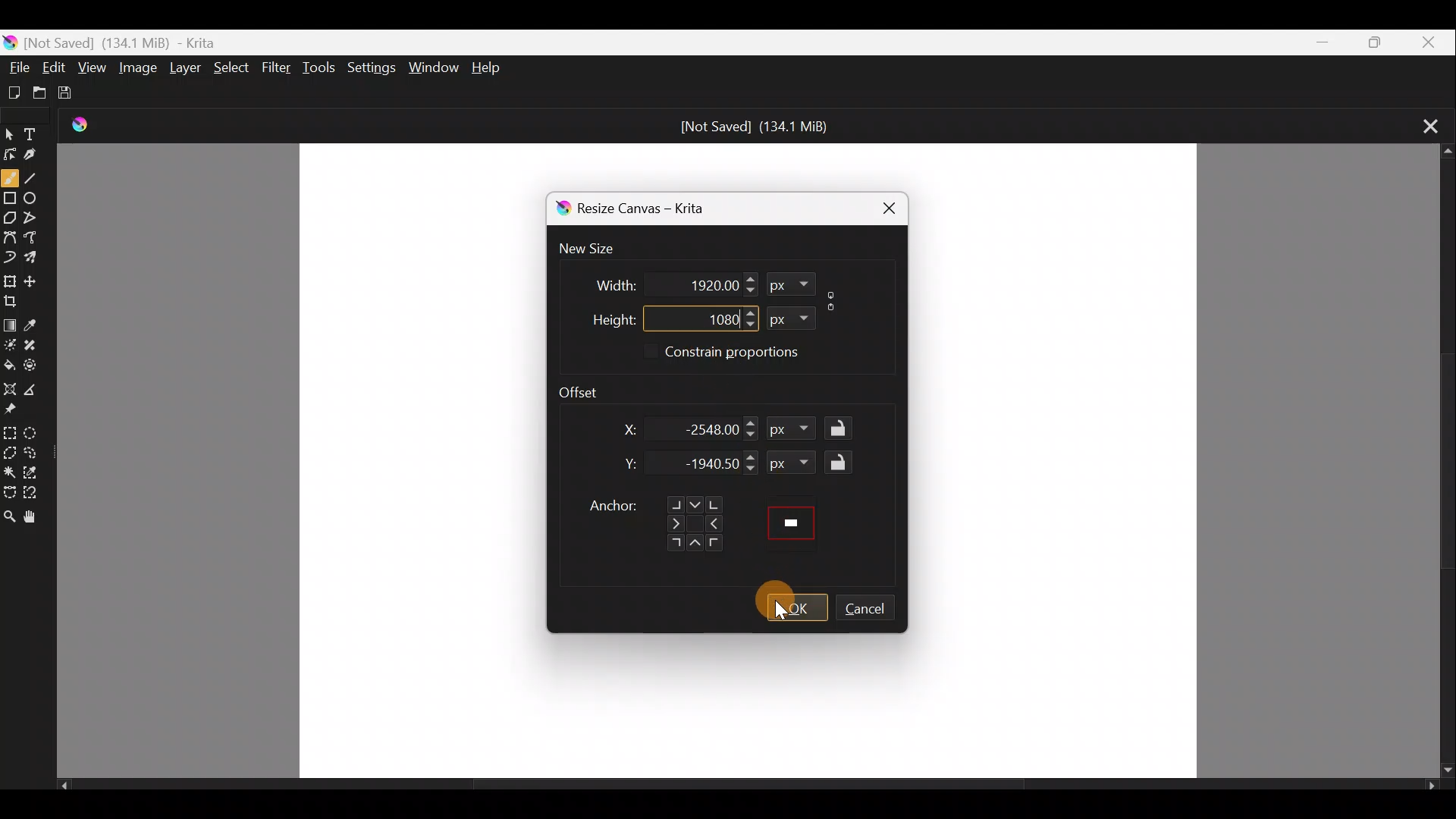 The height and width of the screenshot is (819, 1456). I want to click on px, so click(792, 462).